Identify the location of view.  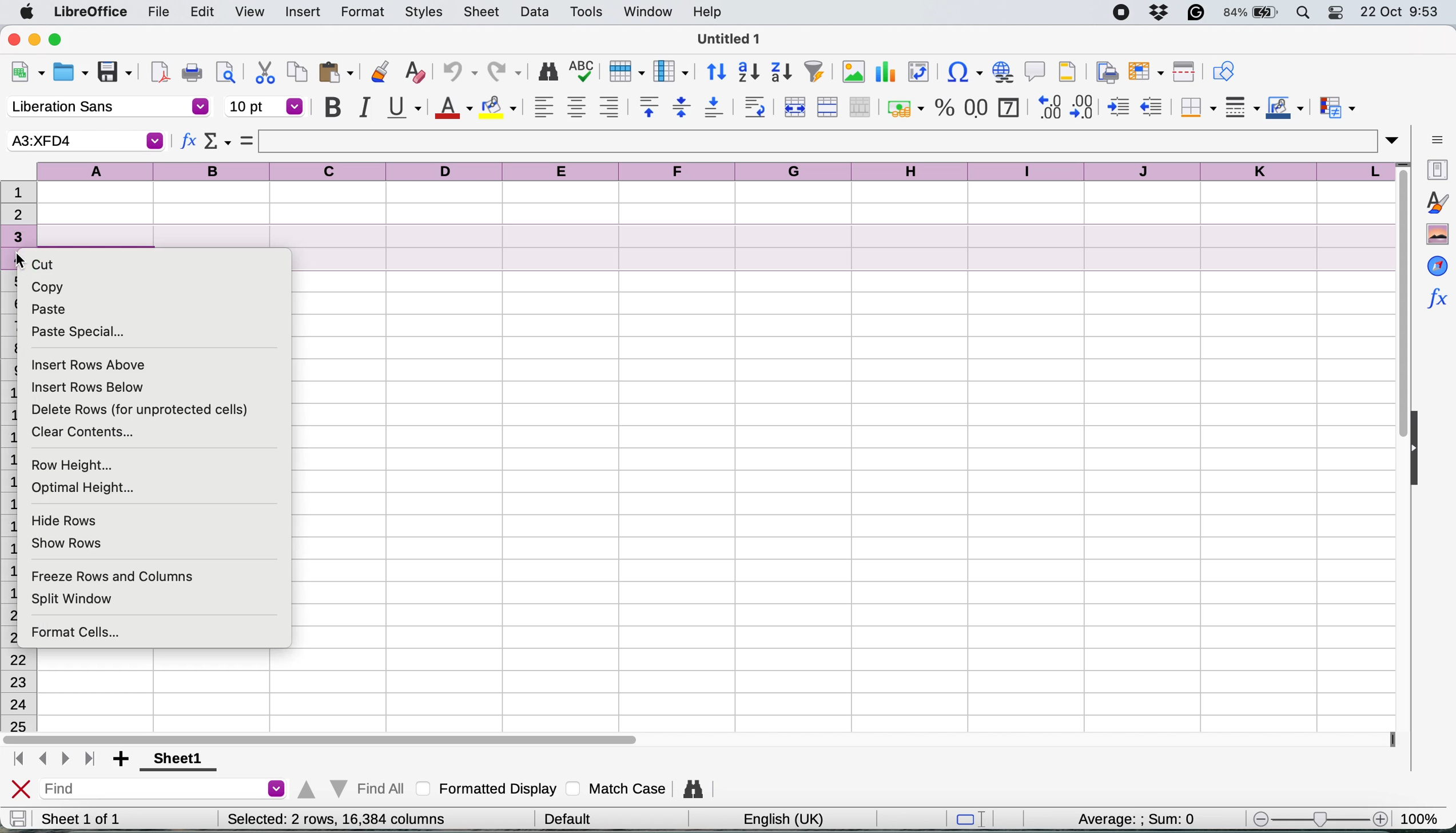
(249, 12).